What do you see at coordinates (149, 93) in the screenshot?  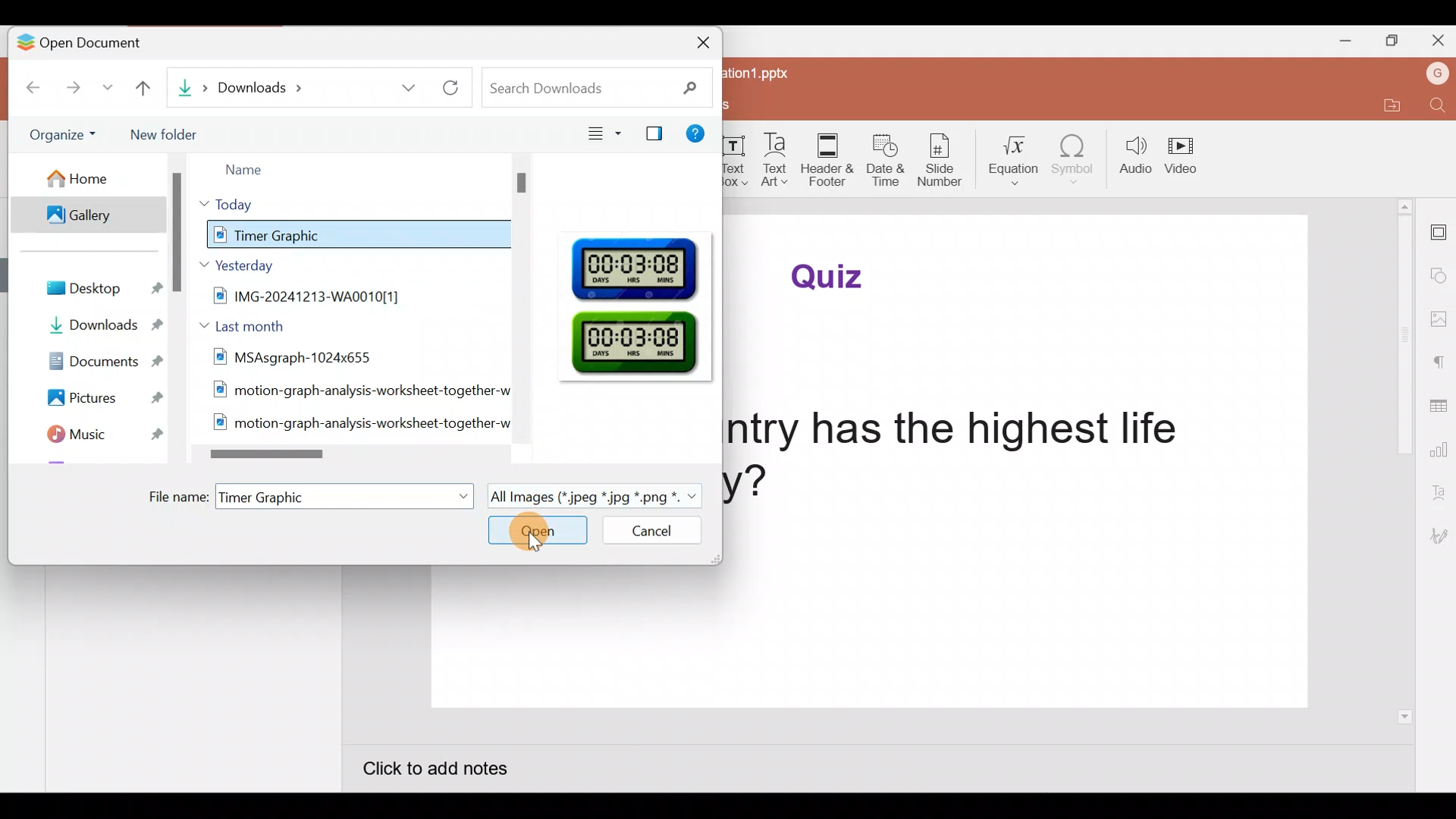 I see `Go up` at bounding box center [149, 93].